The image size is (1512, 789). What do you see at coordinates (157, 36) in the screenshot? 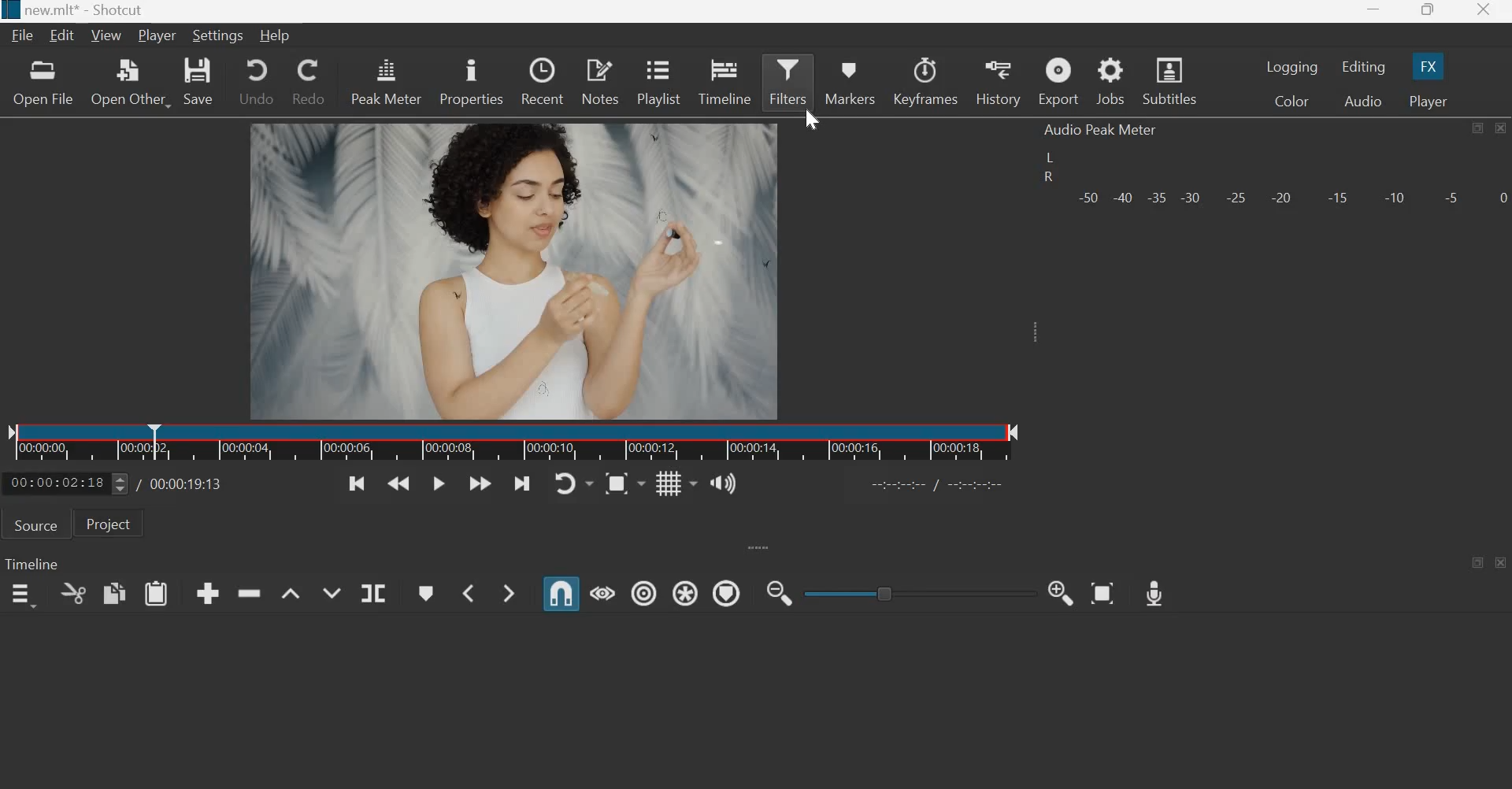
I see `Player` at bounding box center [157, 36].